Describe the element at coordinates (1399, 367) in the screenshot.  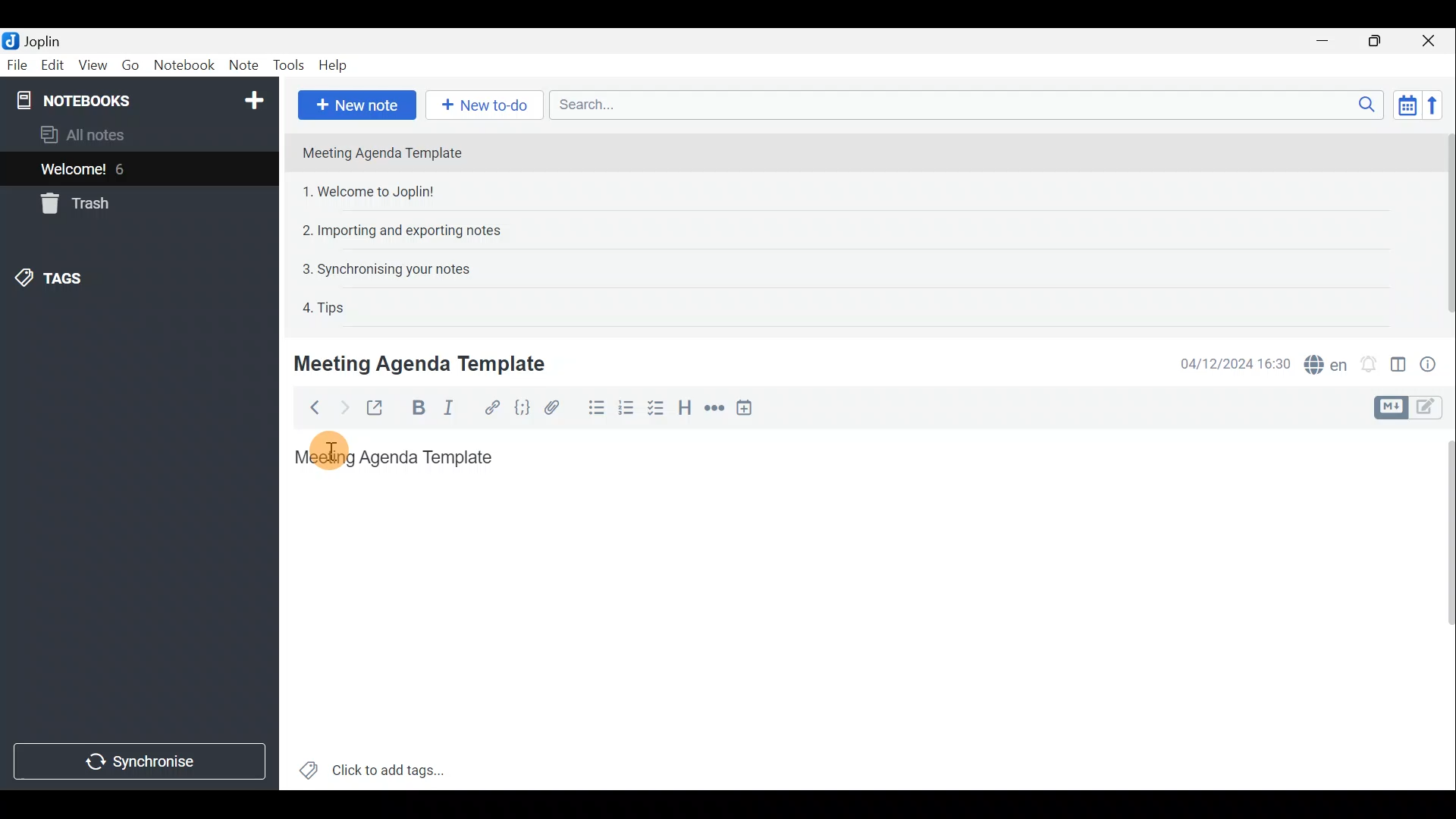
I see `Toggle editor layout` at that location.